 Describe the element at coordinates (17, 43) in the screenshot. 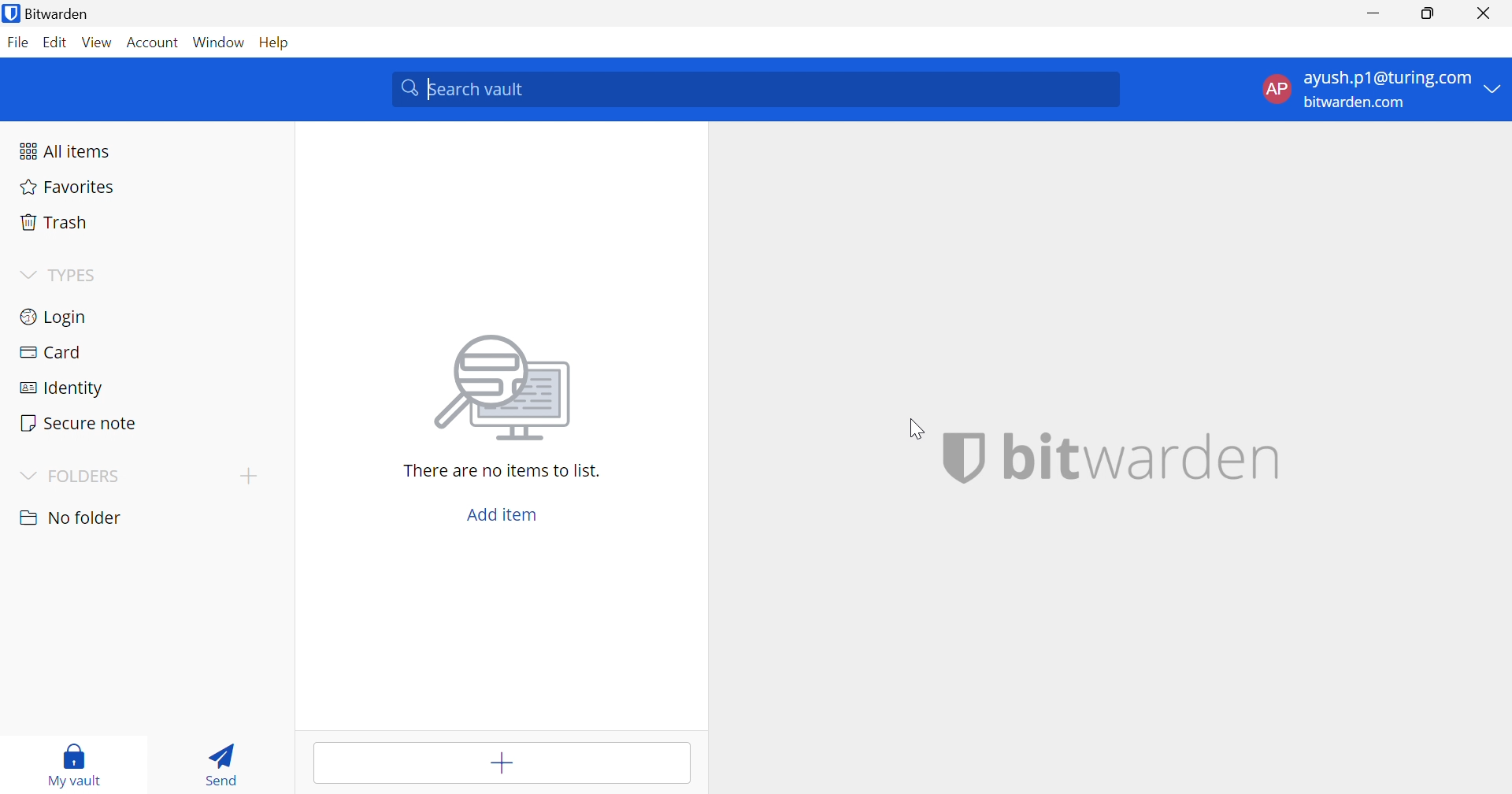

I see `File` at that location.